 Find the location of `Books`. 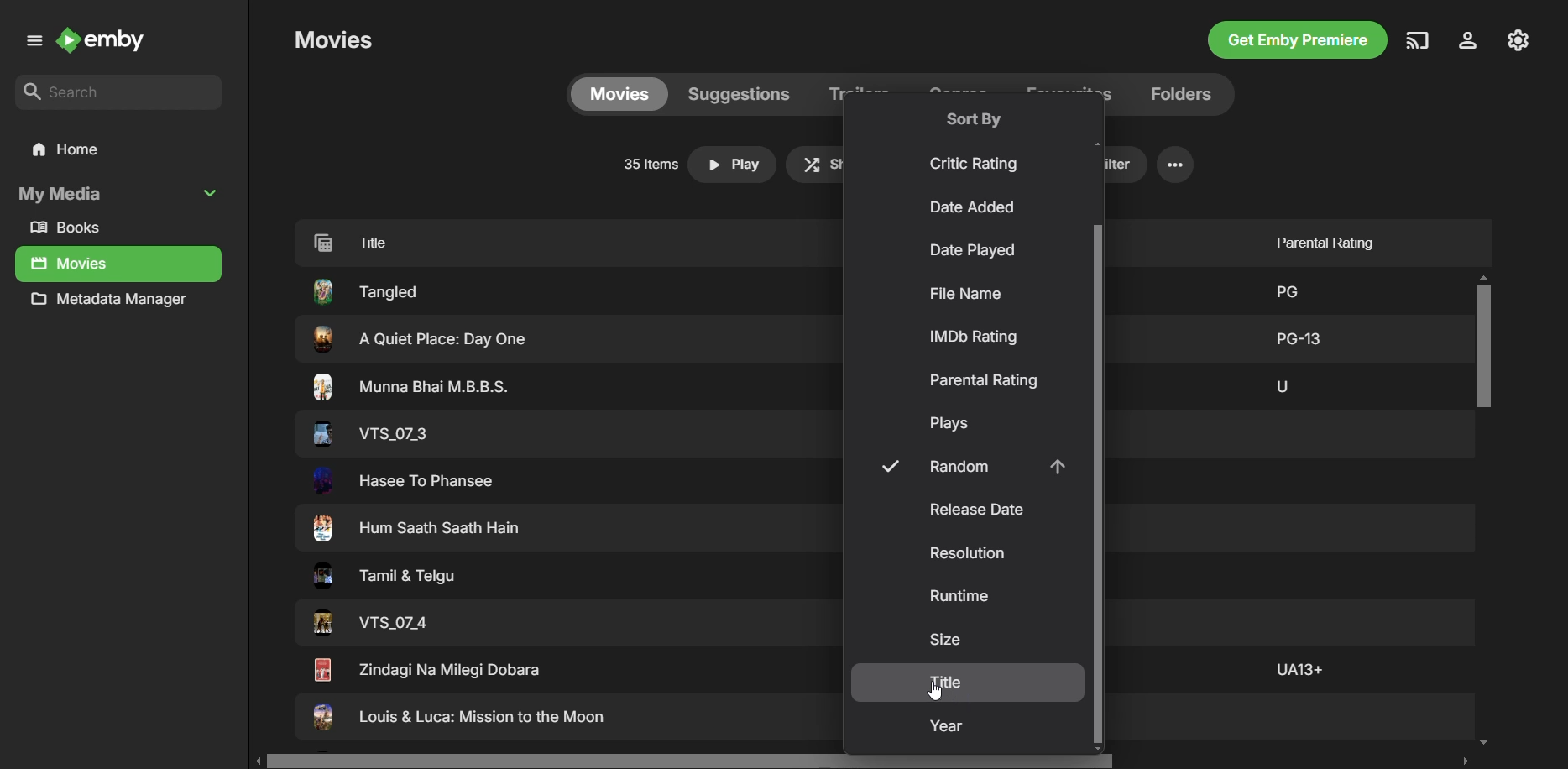

Books is located at coordinates (72, 228).